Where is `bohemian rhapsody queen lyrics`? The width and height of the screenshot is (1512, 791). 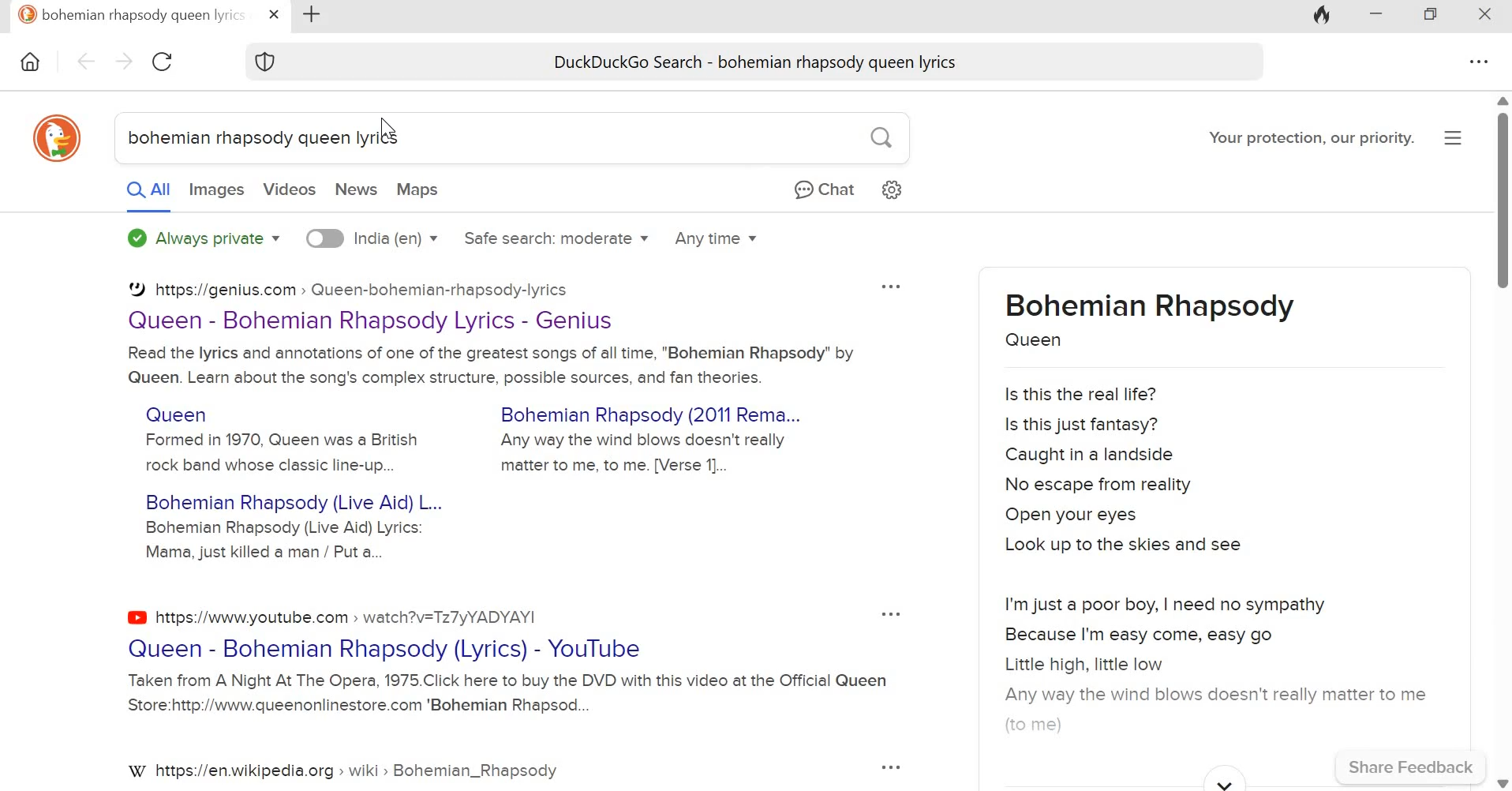 bohemian rhapsody queen lyrics is located at coordinates (269, 135).